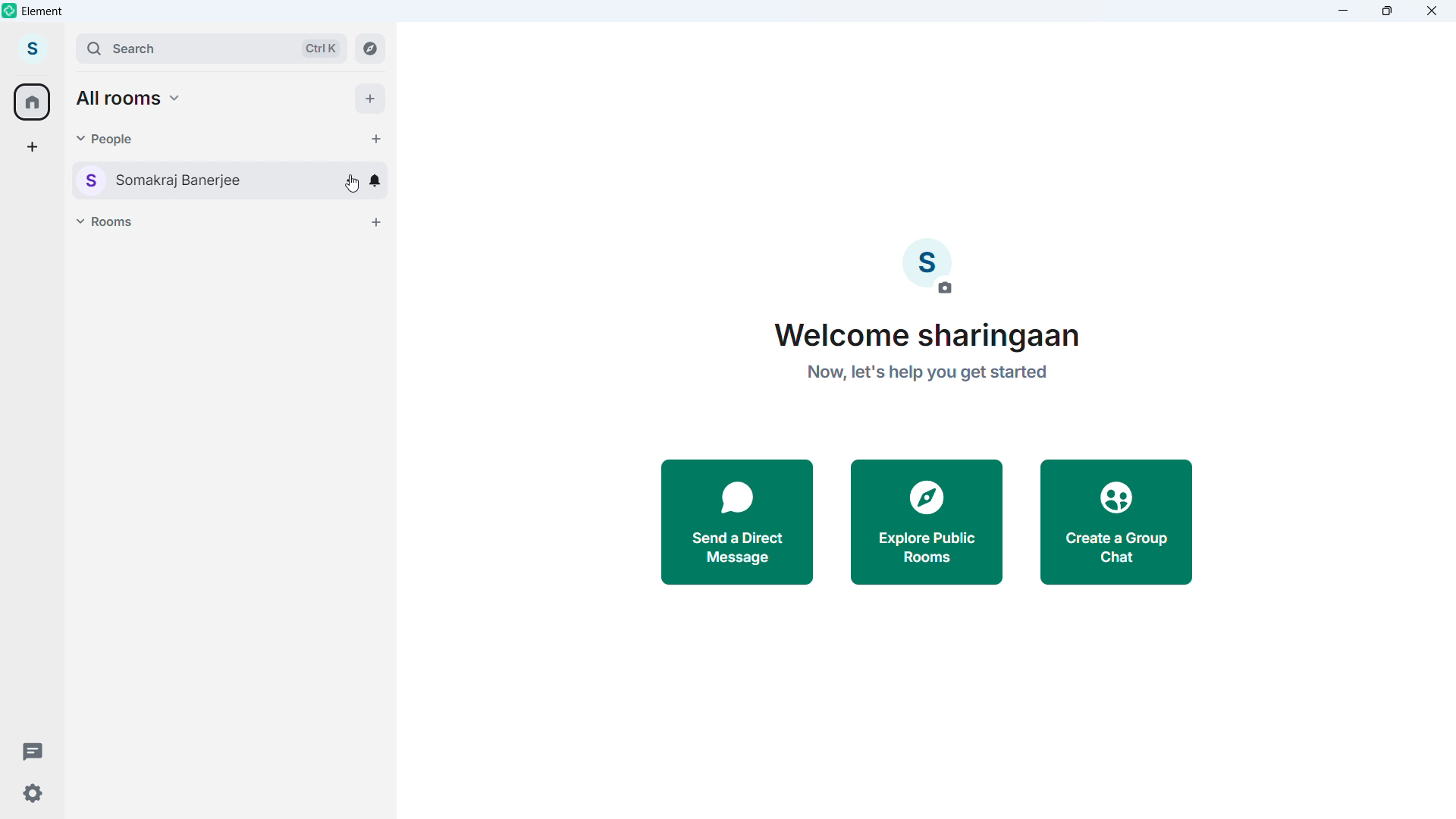  What do you see at coordinates (351, 180) in the screenshot?
I see `Conversation options ` at bounding box center [351, 180].